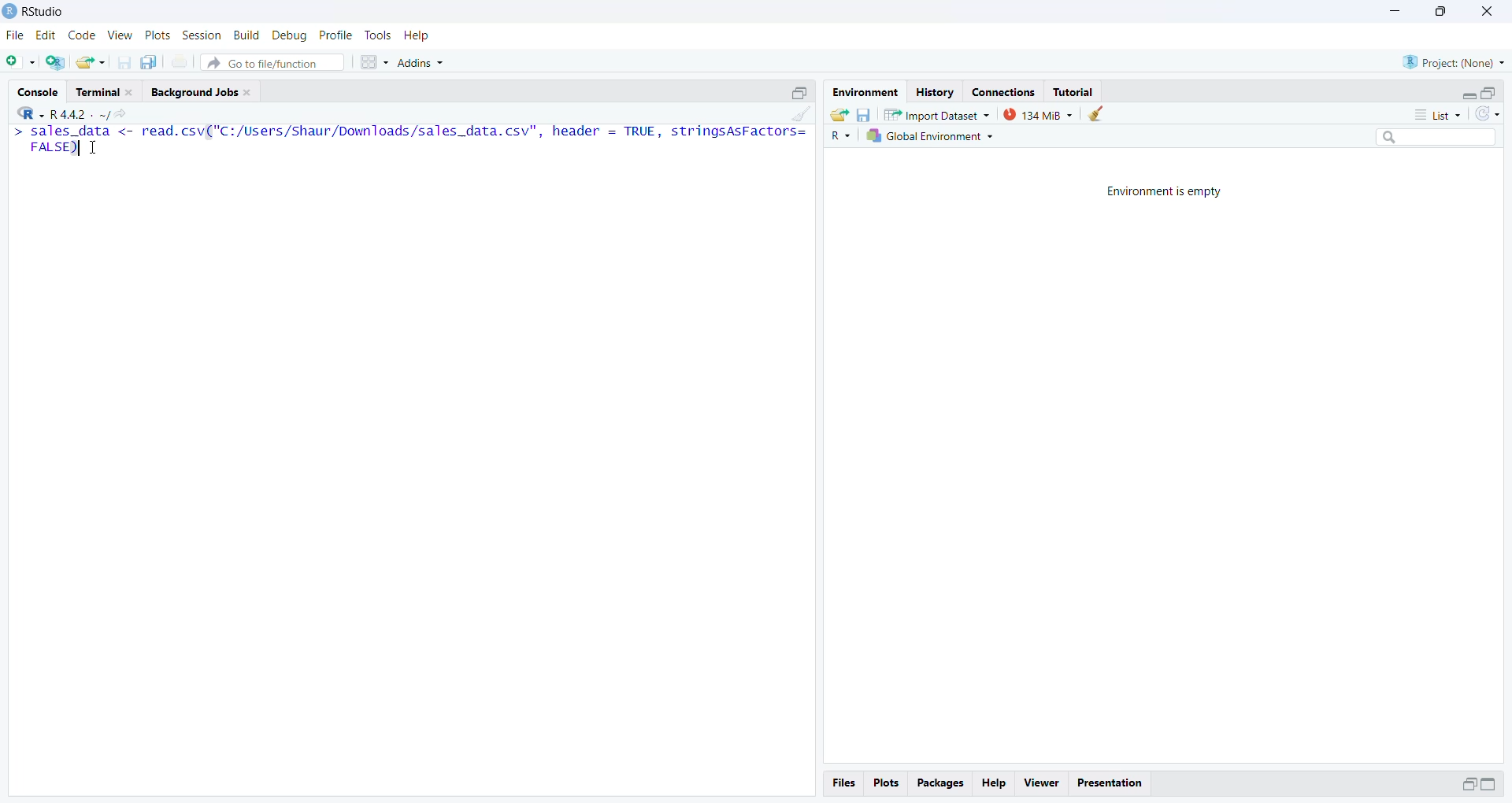 The height and width of the screenshot is (803, 1512). What do you see at coordinates (1097, 113) in the screenshot?
I see `Clear work from the workspace` at bounding box center [1097, 113].